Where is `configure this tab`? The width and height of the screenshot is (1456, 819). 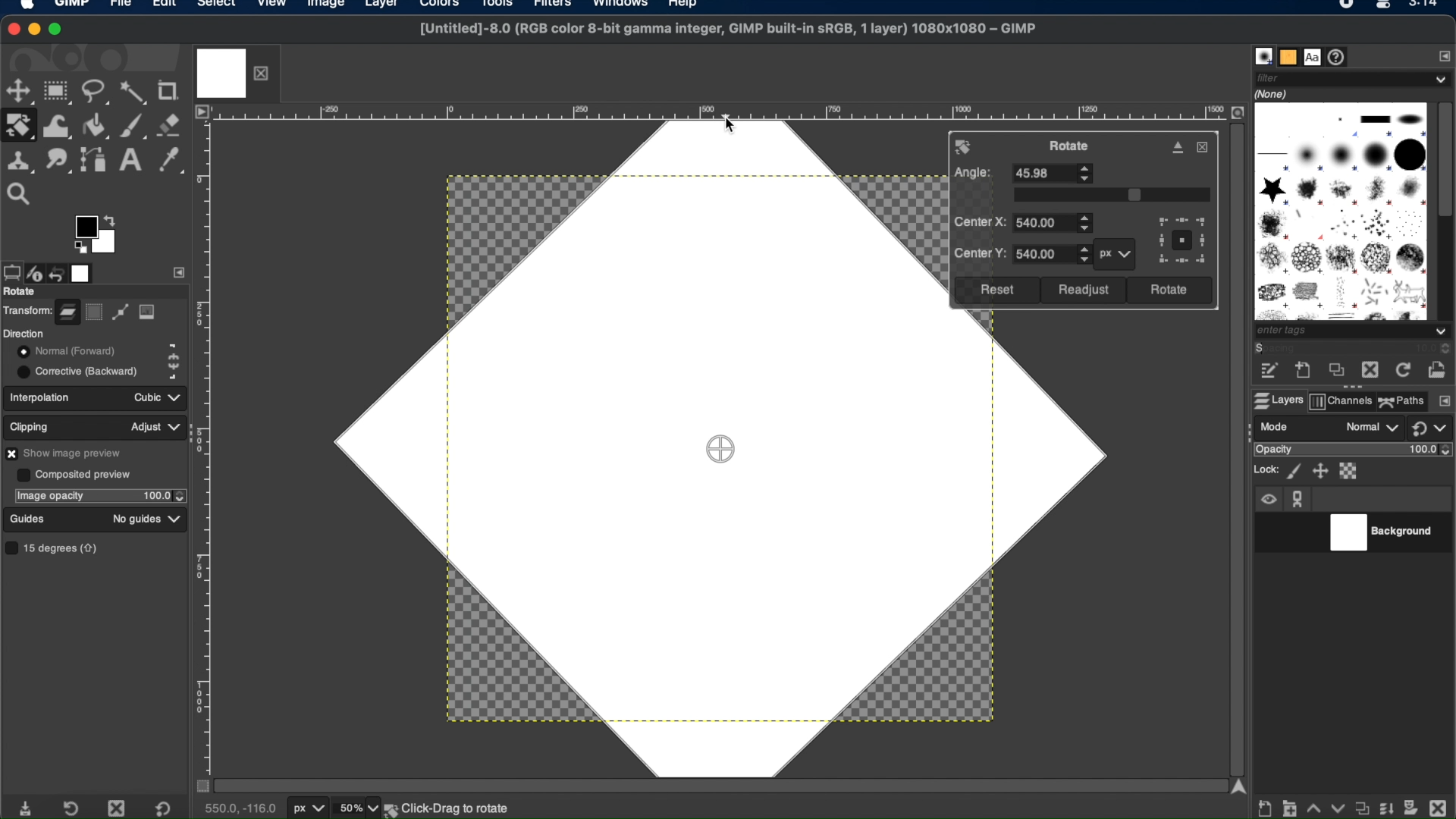
configure this tab is located at coordinates (1442, 55).